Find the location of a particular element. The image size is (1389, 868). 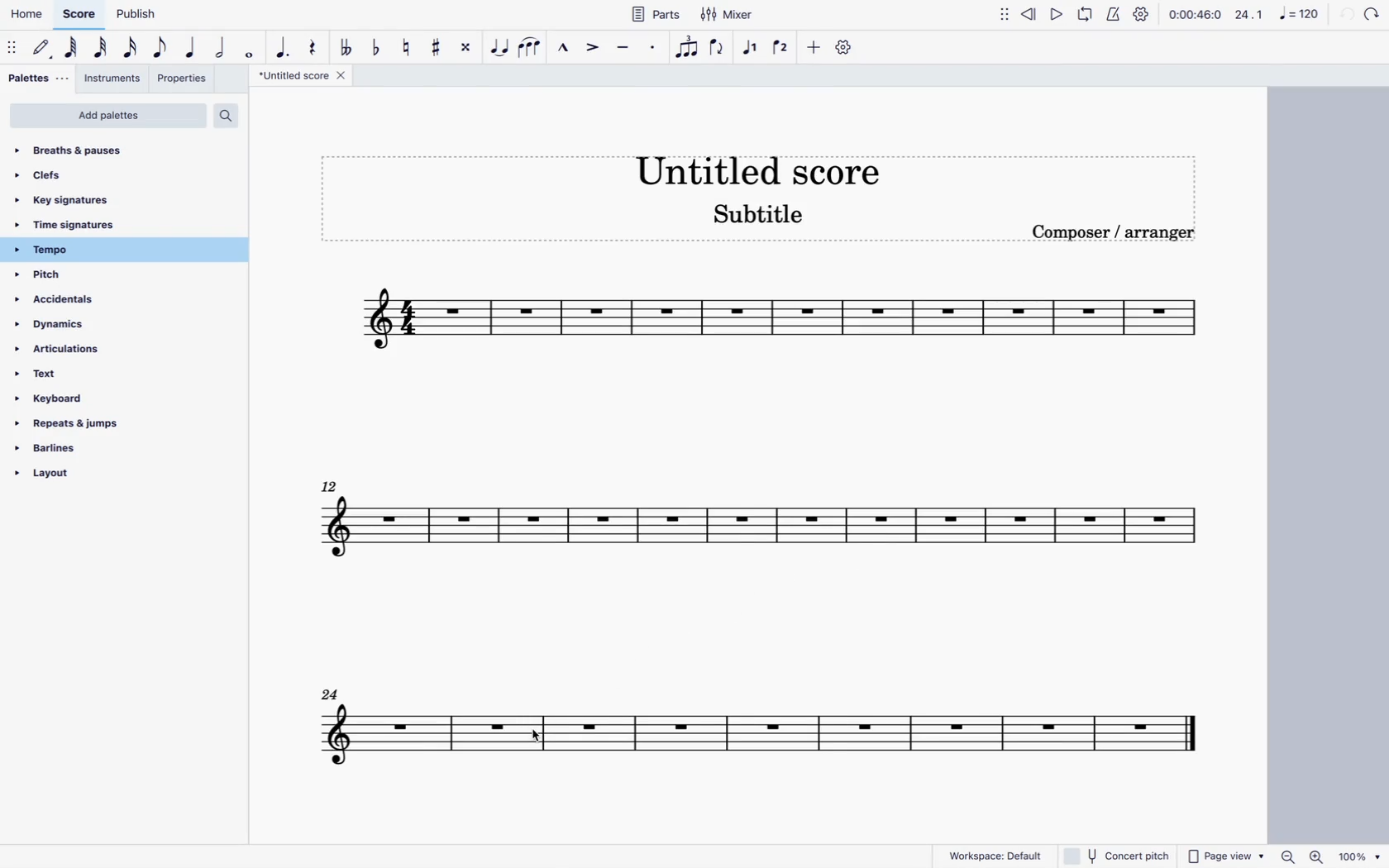

layout is located at coordinates (76, 475).